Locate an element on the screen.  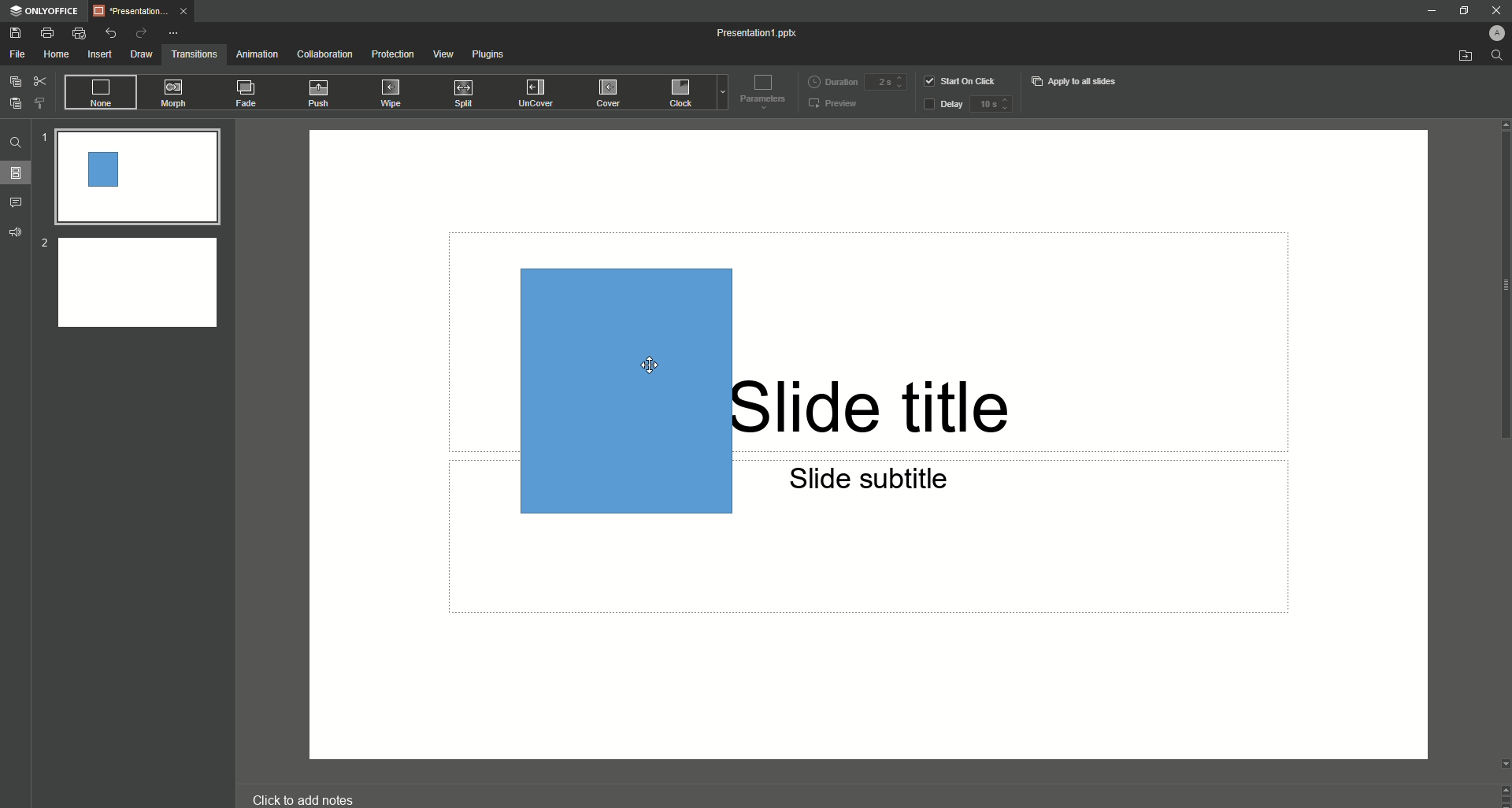
Push is located at coordinates (318, 92).